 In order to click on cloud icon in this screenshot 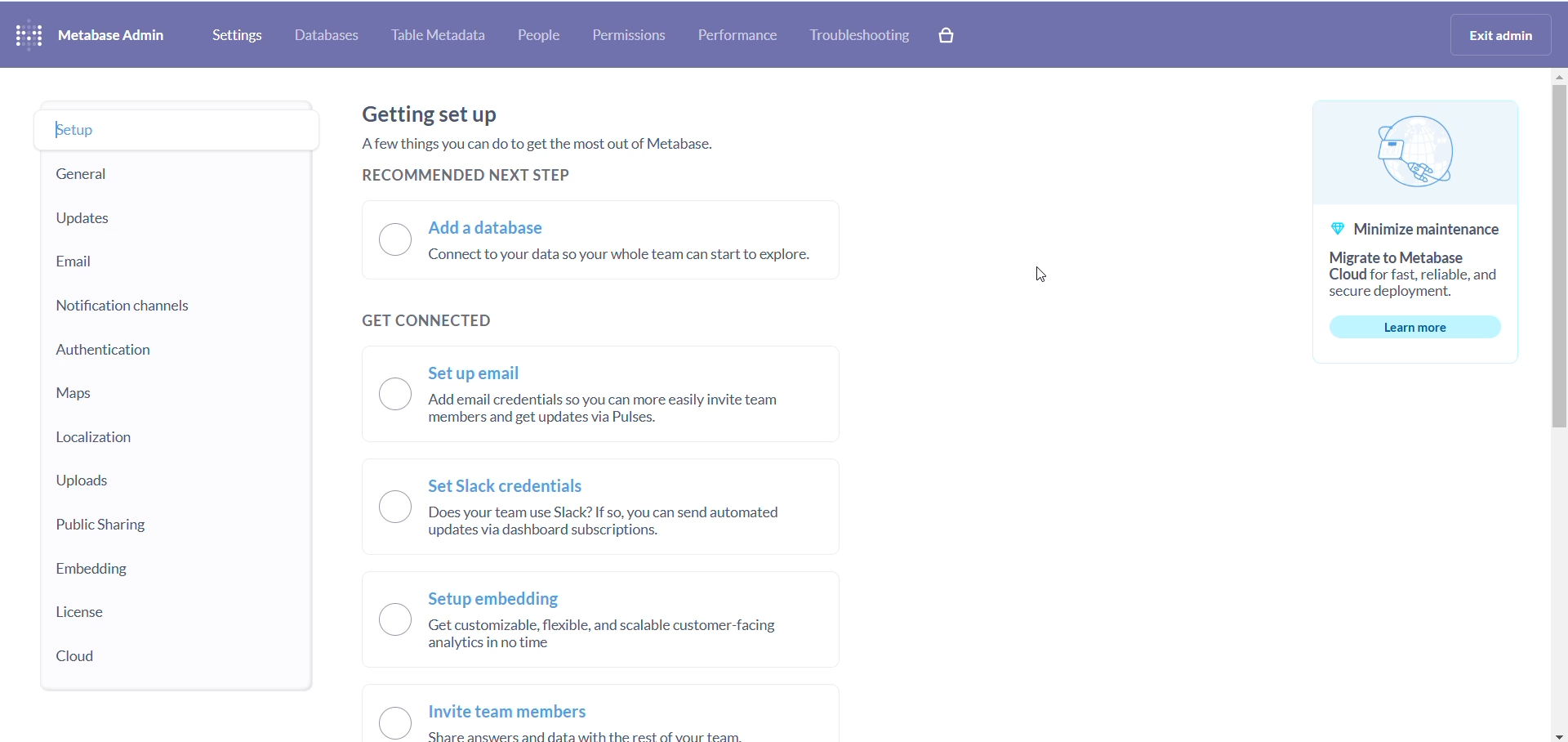, I will do `click(1414, 150)`.